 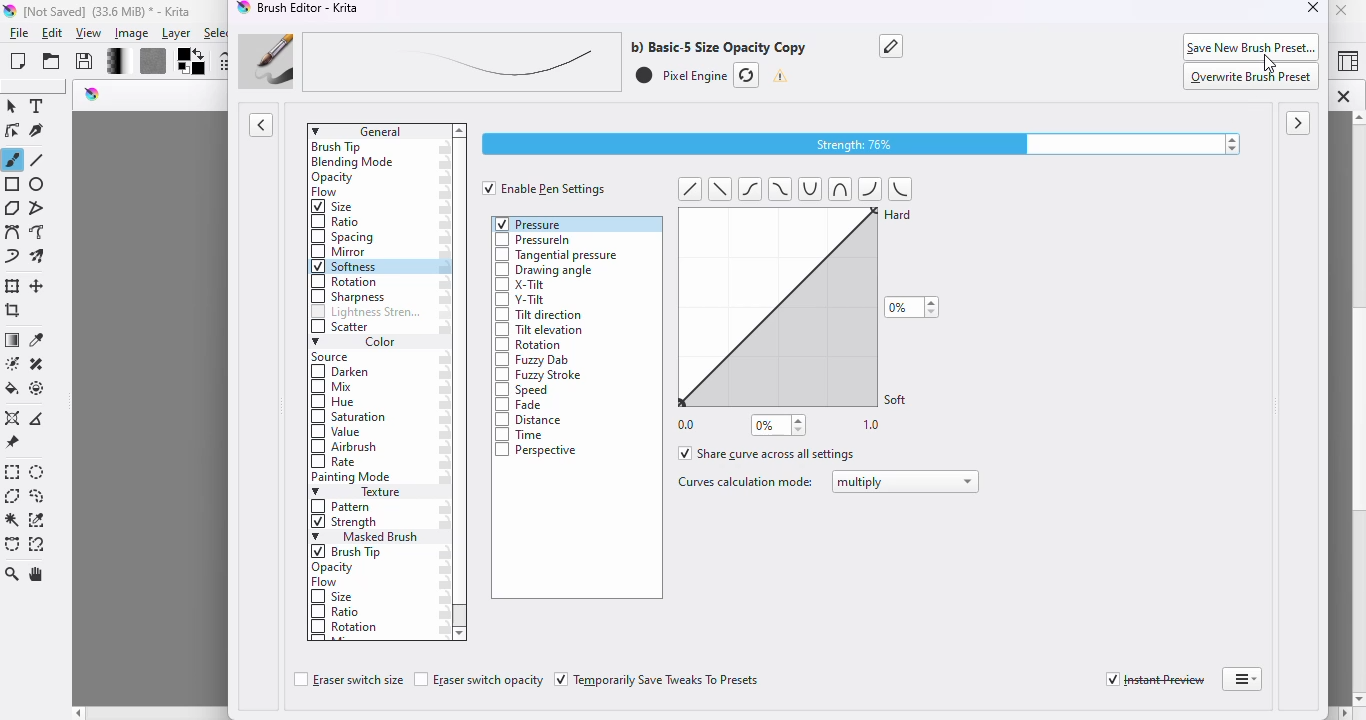 I want to click on rectangle tool, so click(x=12, y=184).